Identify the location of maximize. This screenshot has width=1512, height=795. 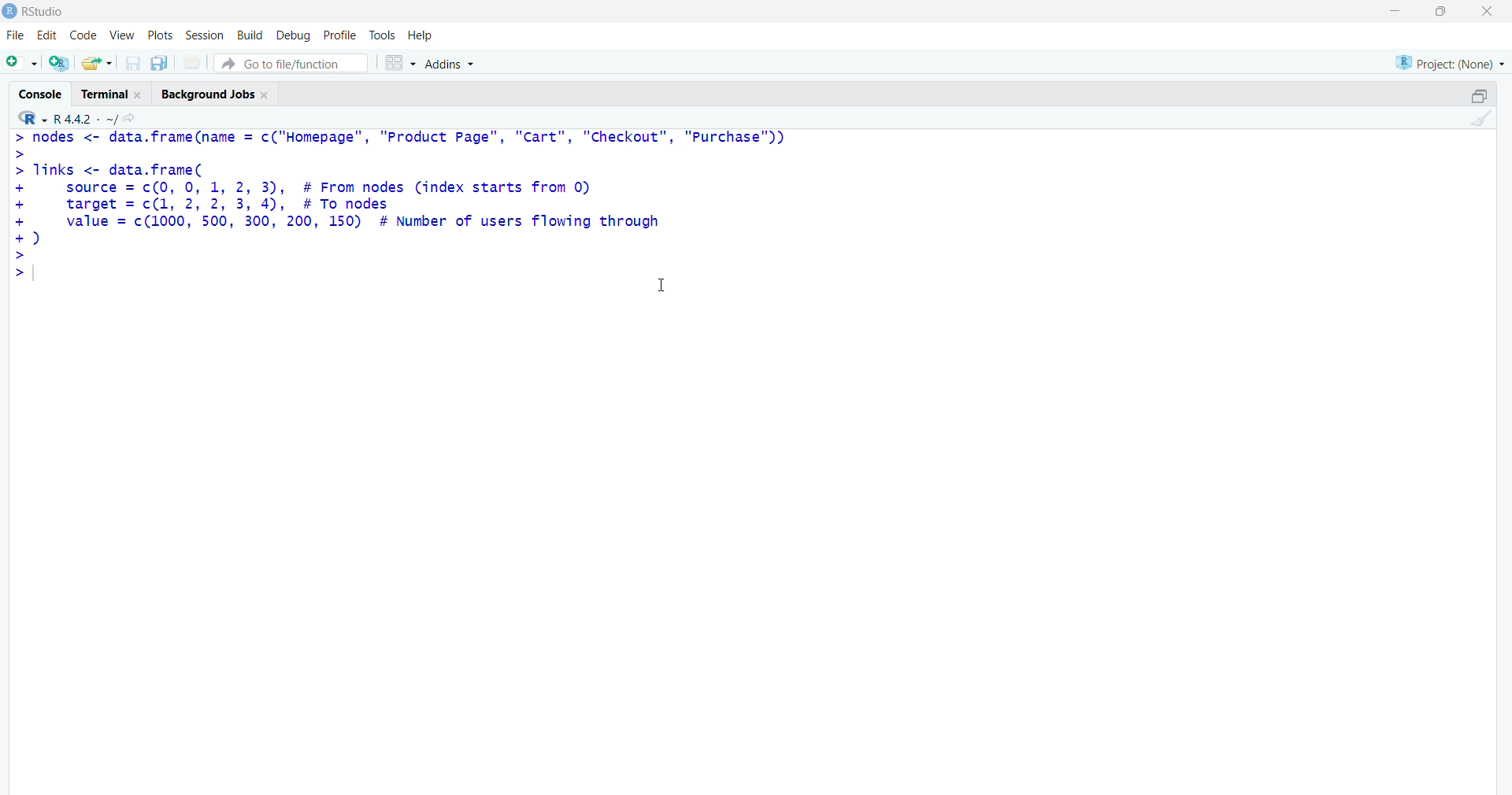
(1439, 12).